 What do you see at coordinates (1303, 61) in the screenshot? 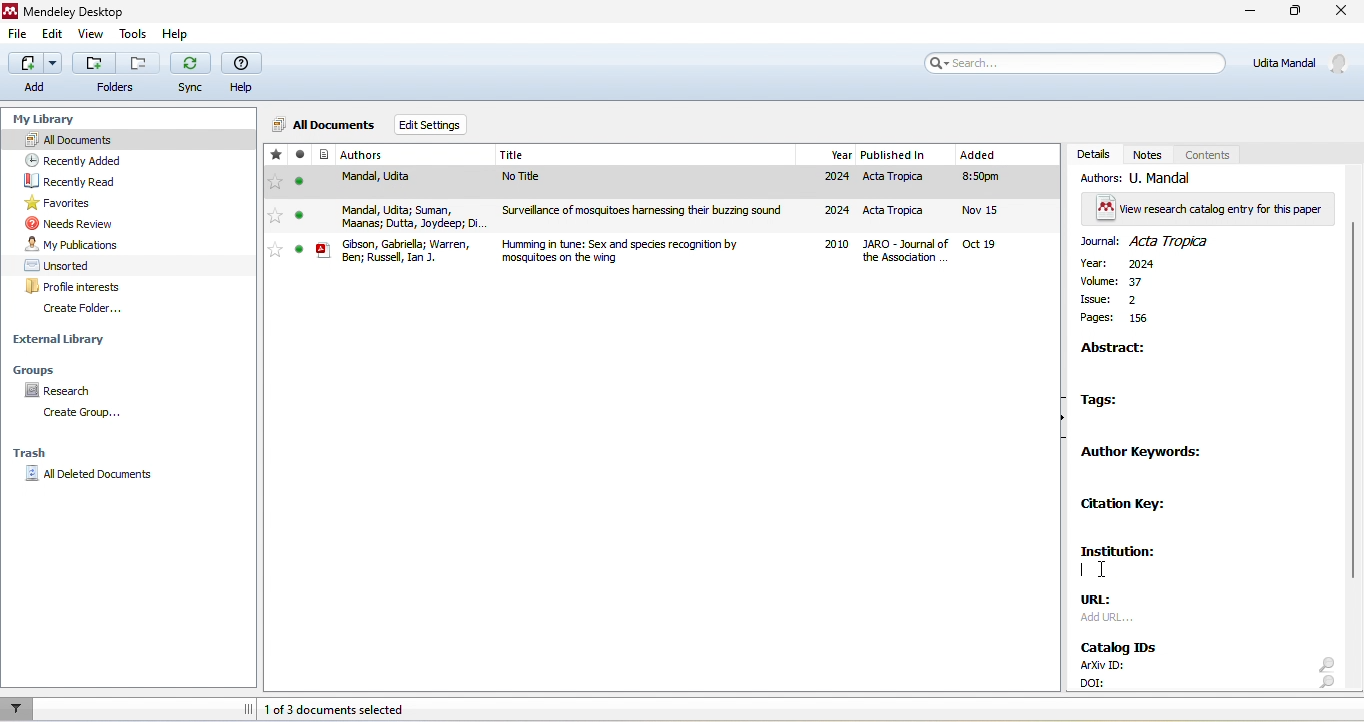
I see `udita ` at bounding box center [1303, 61].